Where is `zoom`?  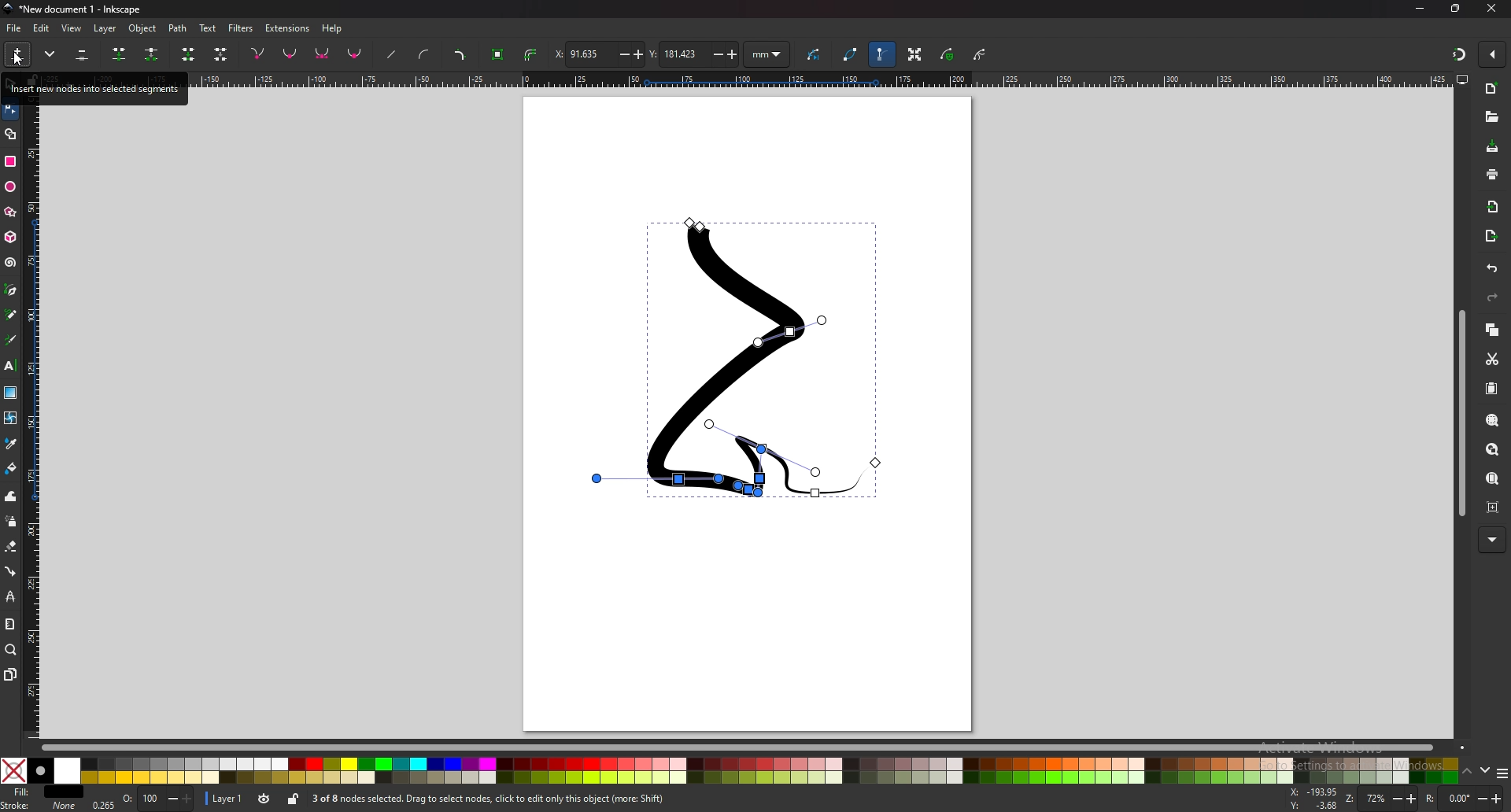
zoom is located at coordinates (12, 651).